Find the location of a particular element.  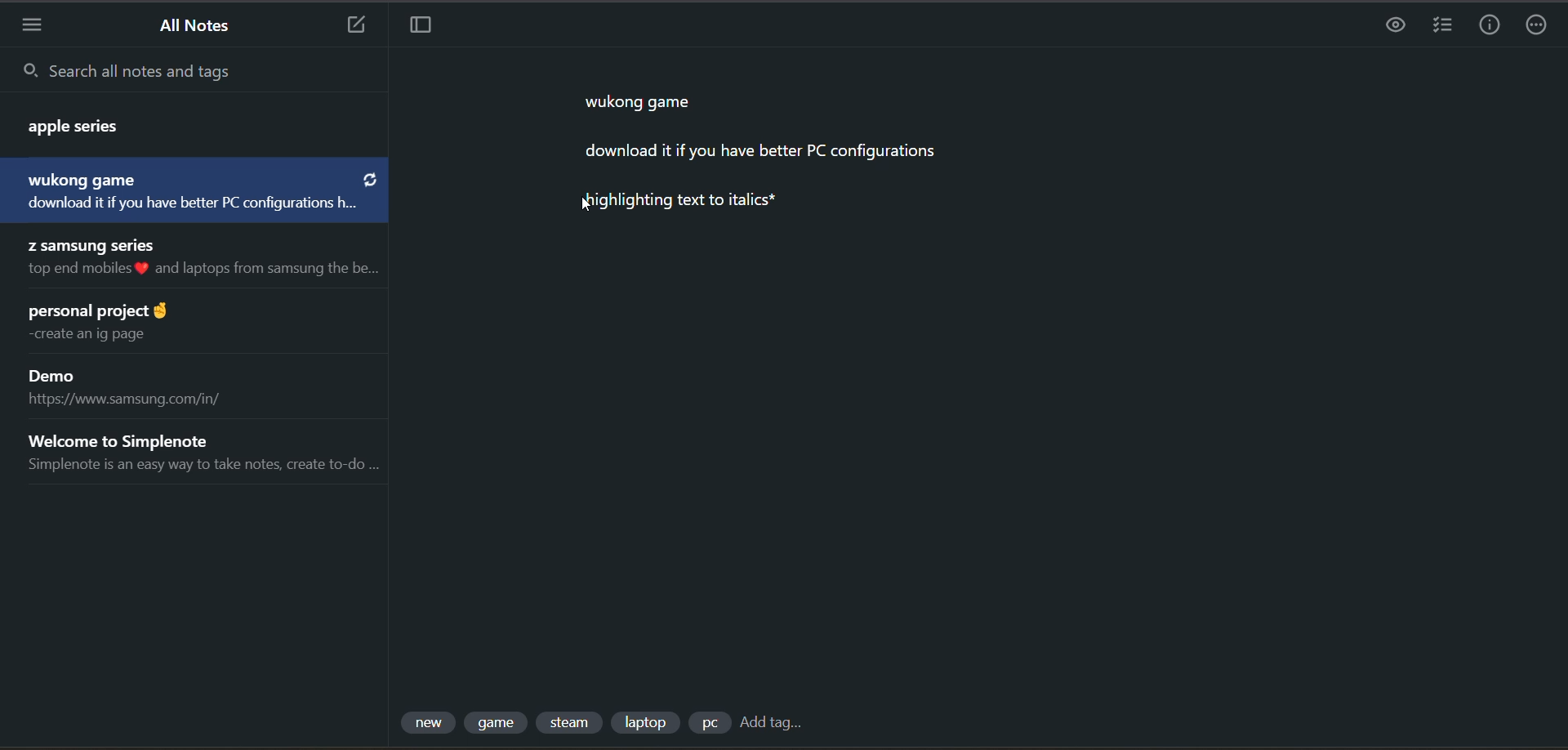

tag 3 is located at coordinates (572, 723).